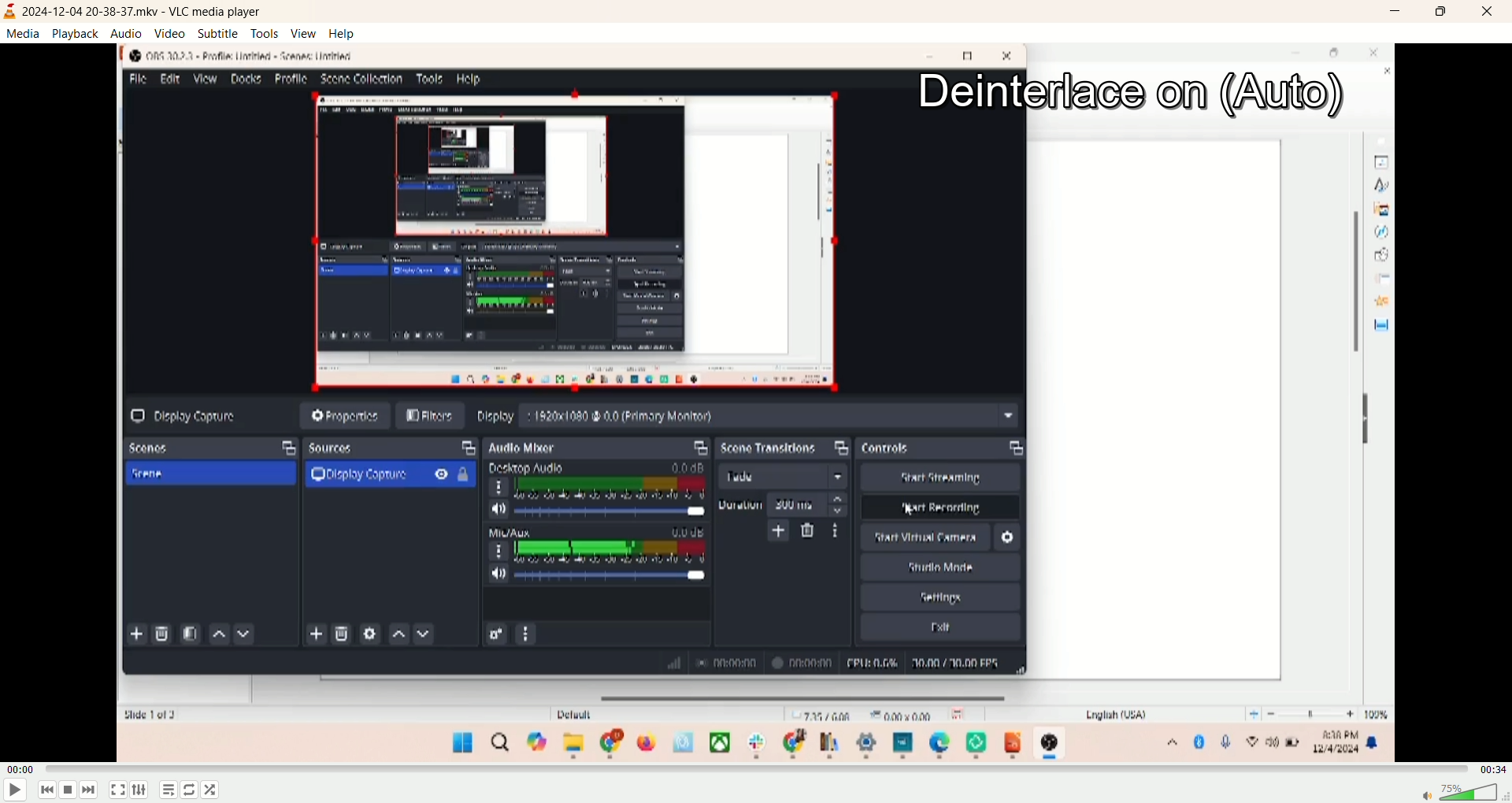  What do you see at coordinates (216, 791) in the screenshot?
I see `loop` at bounding box center [216, 791].